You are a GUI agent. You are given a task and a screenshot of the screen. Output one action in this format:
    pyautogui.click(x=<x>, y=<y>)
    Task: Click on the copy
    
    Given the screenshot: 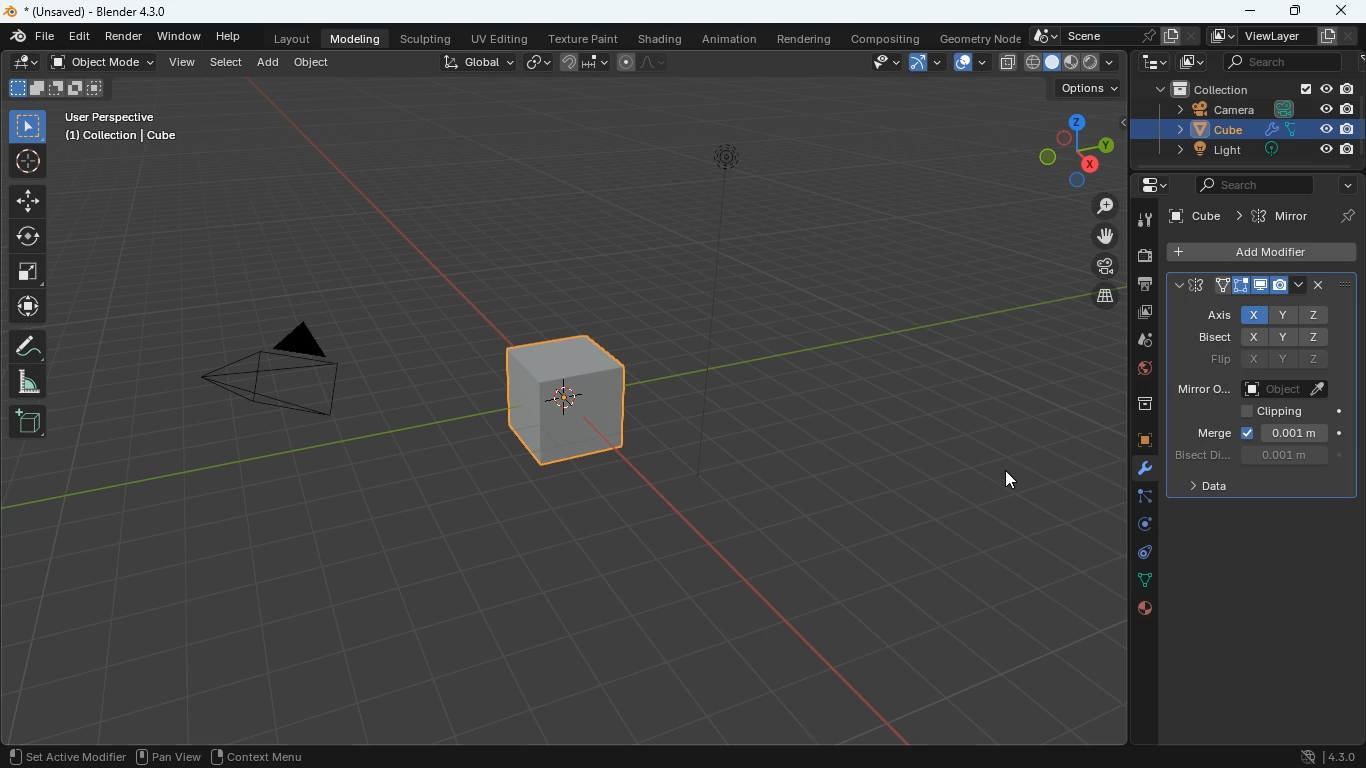 What is the action you would take?
    pyautogui.click(x=1006, y=61)
    